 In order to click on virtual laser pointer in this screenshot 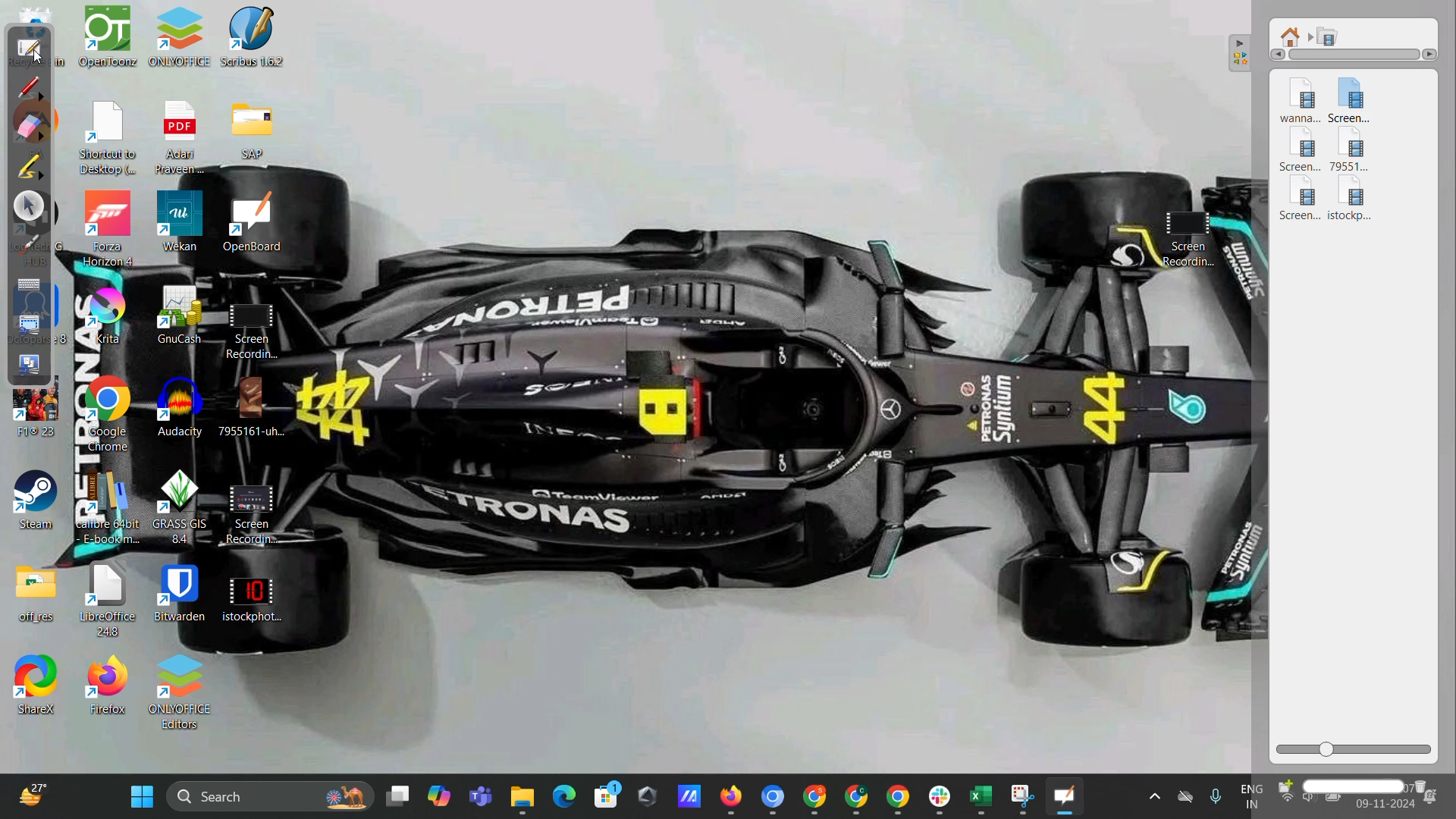, I will do `click(32, 246)`.